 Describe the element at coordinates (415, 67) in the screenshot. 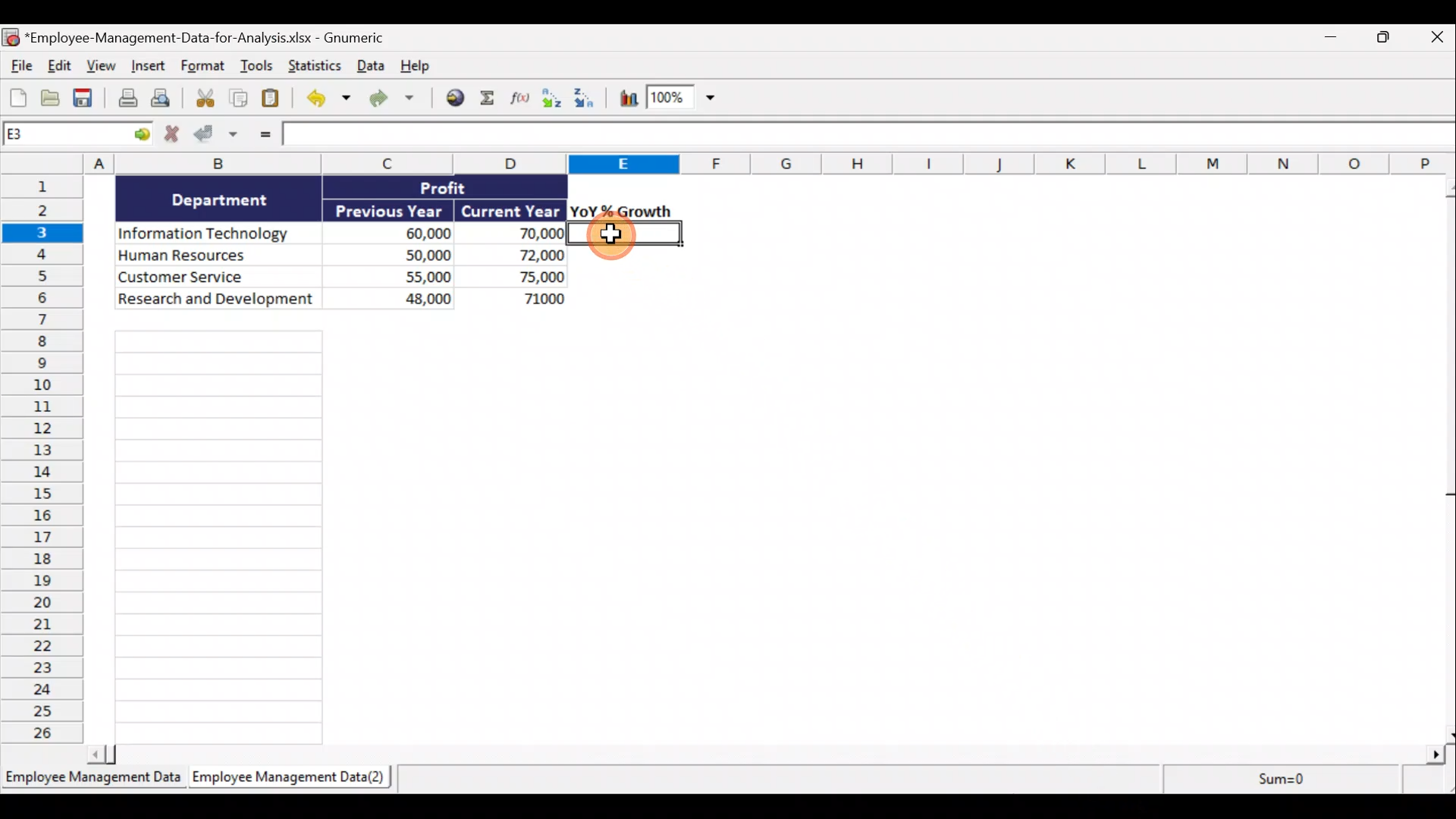

I see `Help` at that location.